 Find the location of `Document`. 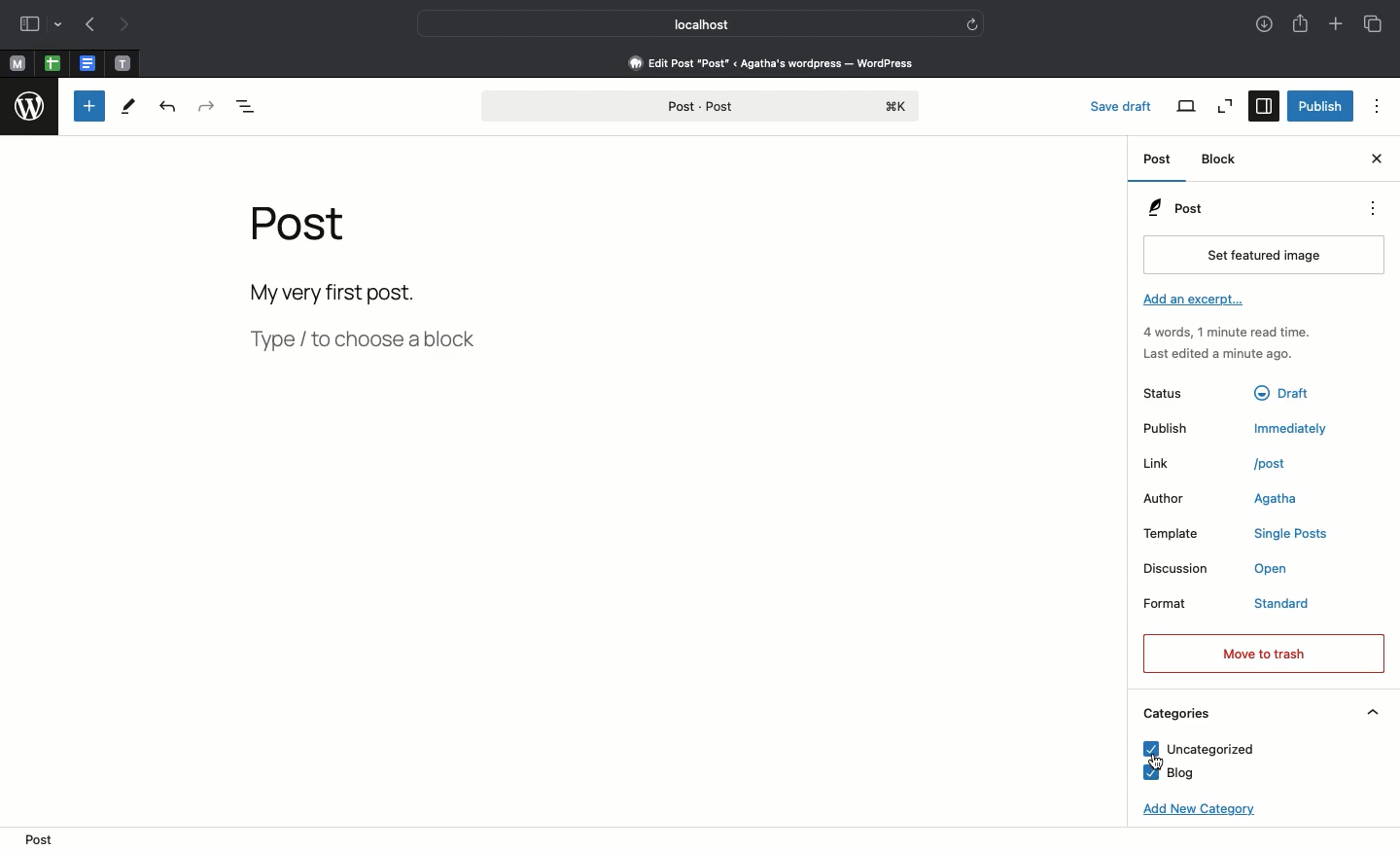

Document is located at coordinates (87, 64).